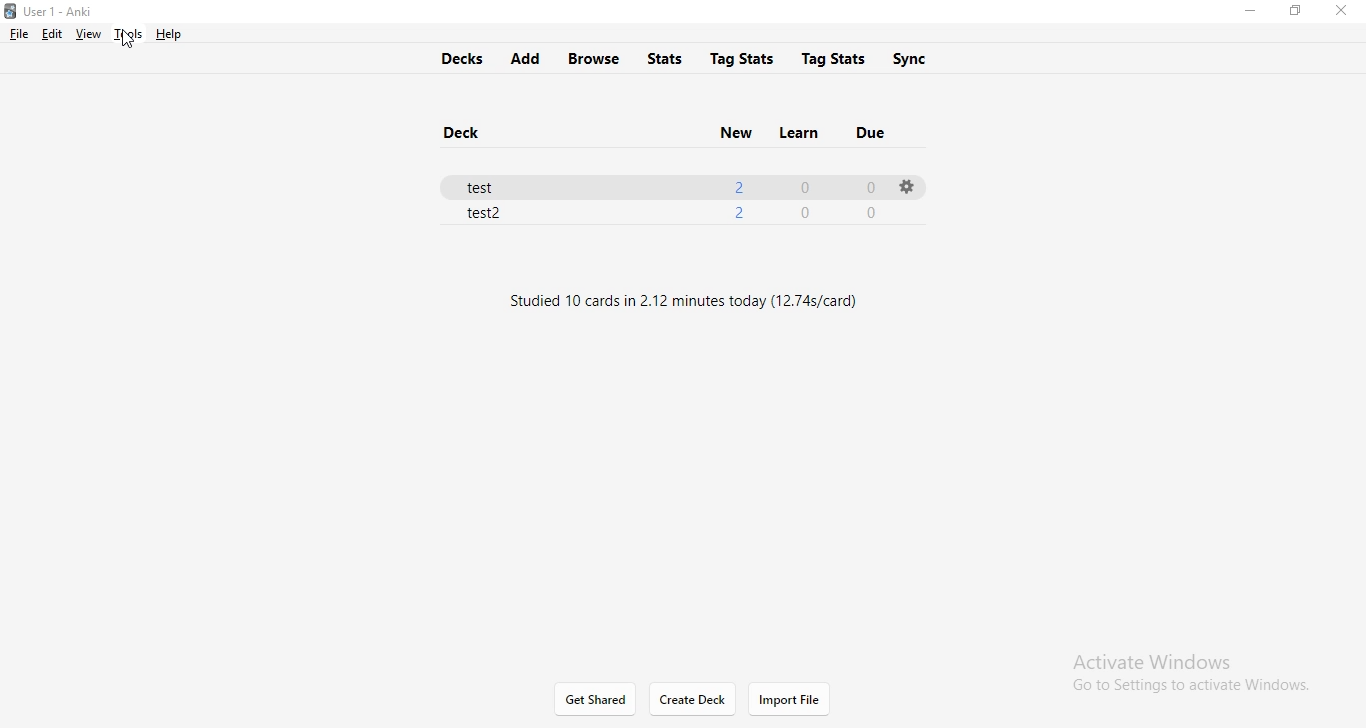 Image resolution: width=1366 pixels, height=728 pixels. What do you see at coordinates (742, 57) in the screenshot?
I see `tag stats` at bounding box center [742, 57].